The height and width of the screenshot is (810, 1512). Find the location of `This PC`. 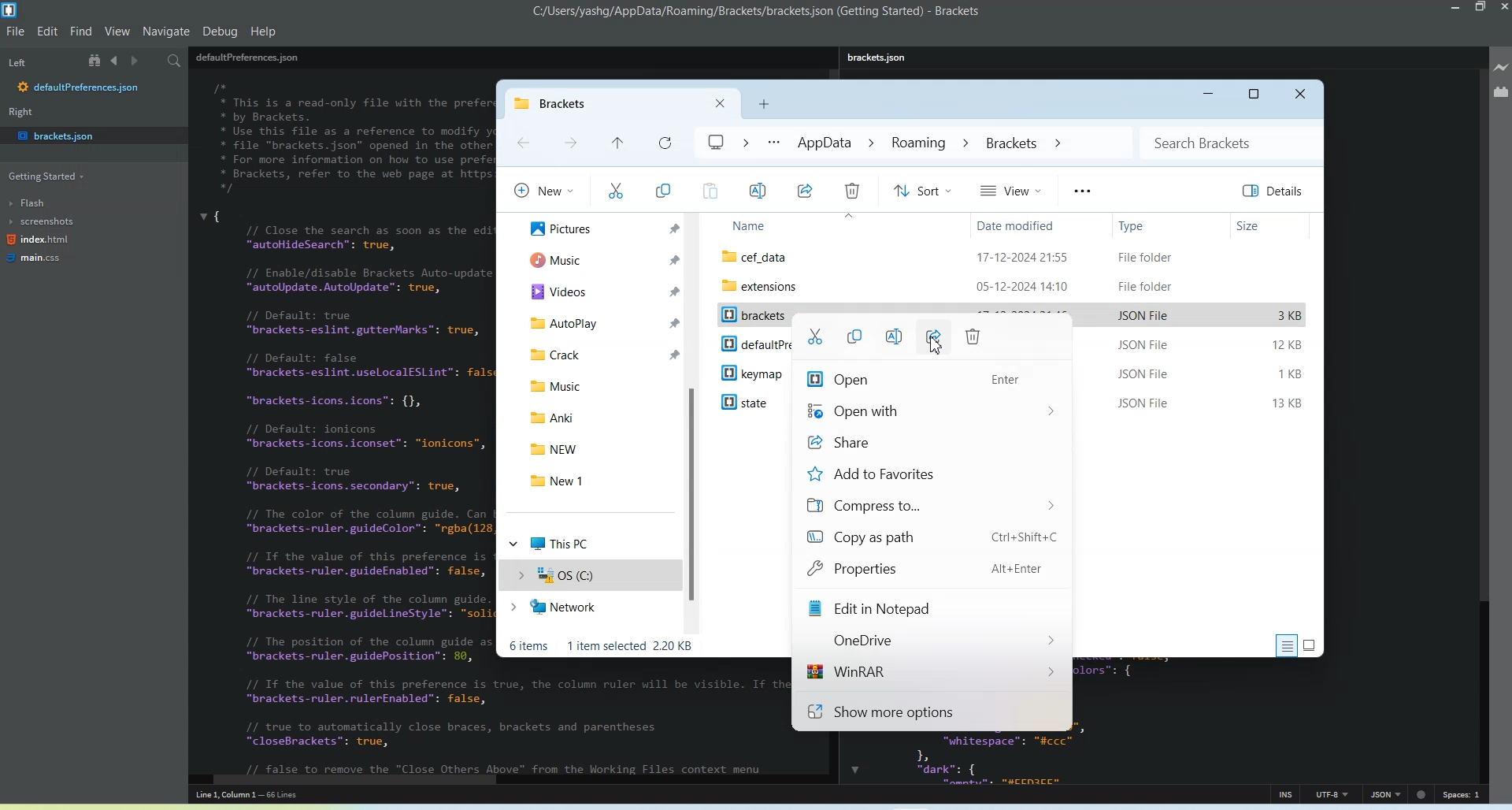

This PC is located at coordinates (590, 541).